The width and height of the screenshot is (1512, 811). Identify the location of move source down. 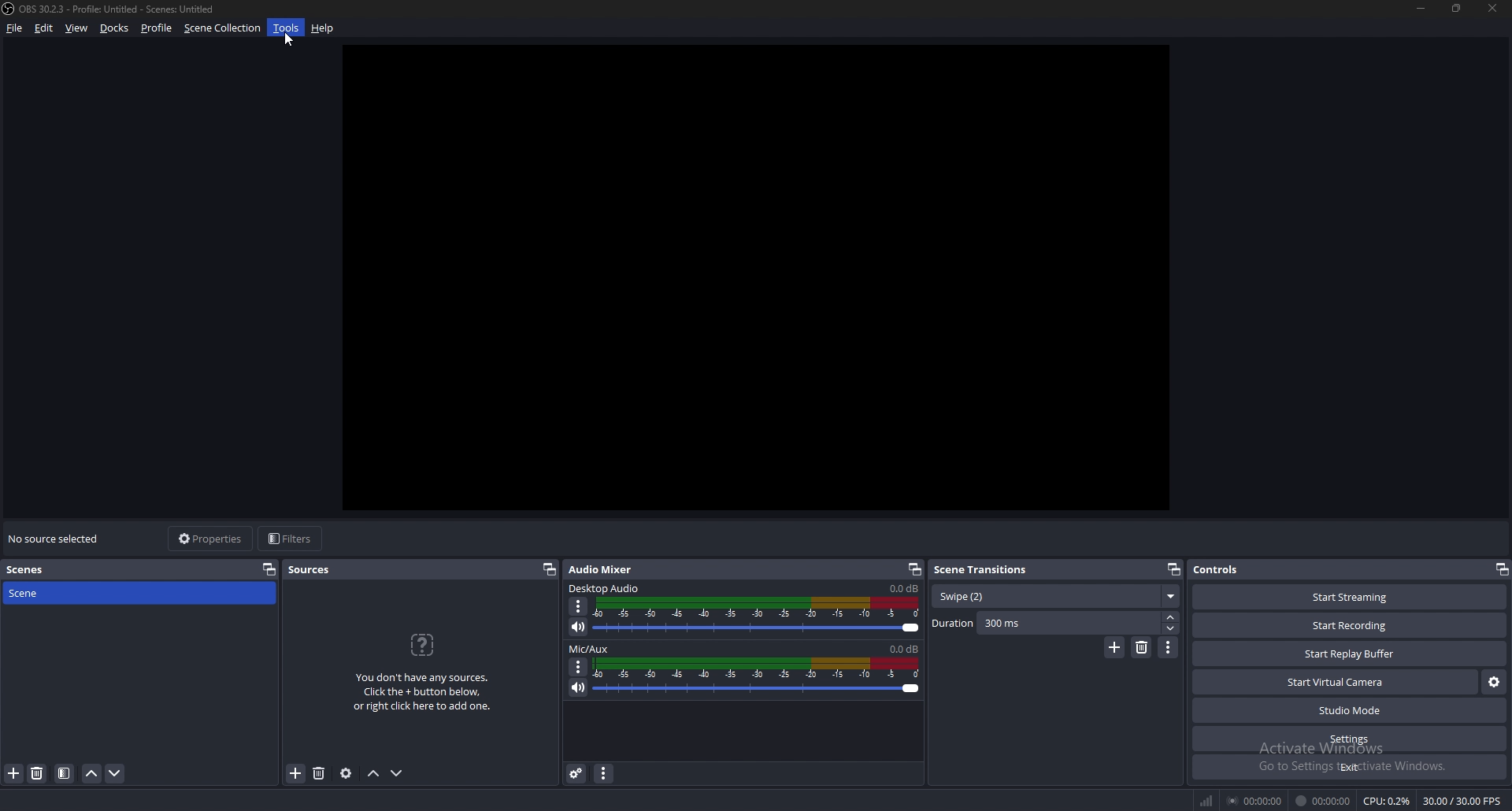
(397, 774).